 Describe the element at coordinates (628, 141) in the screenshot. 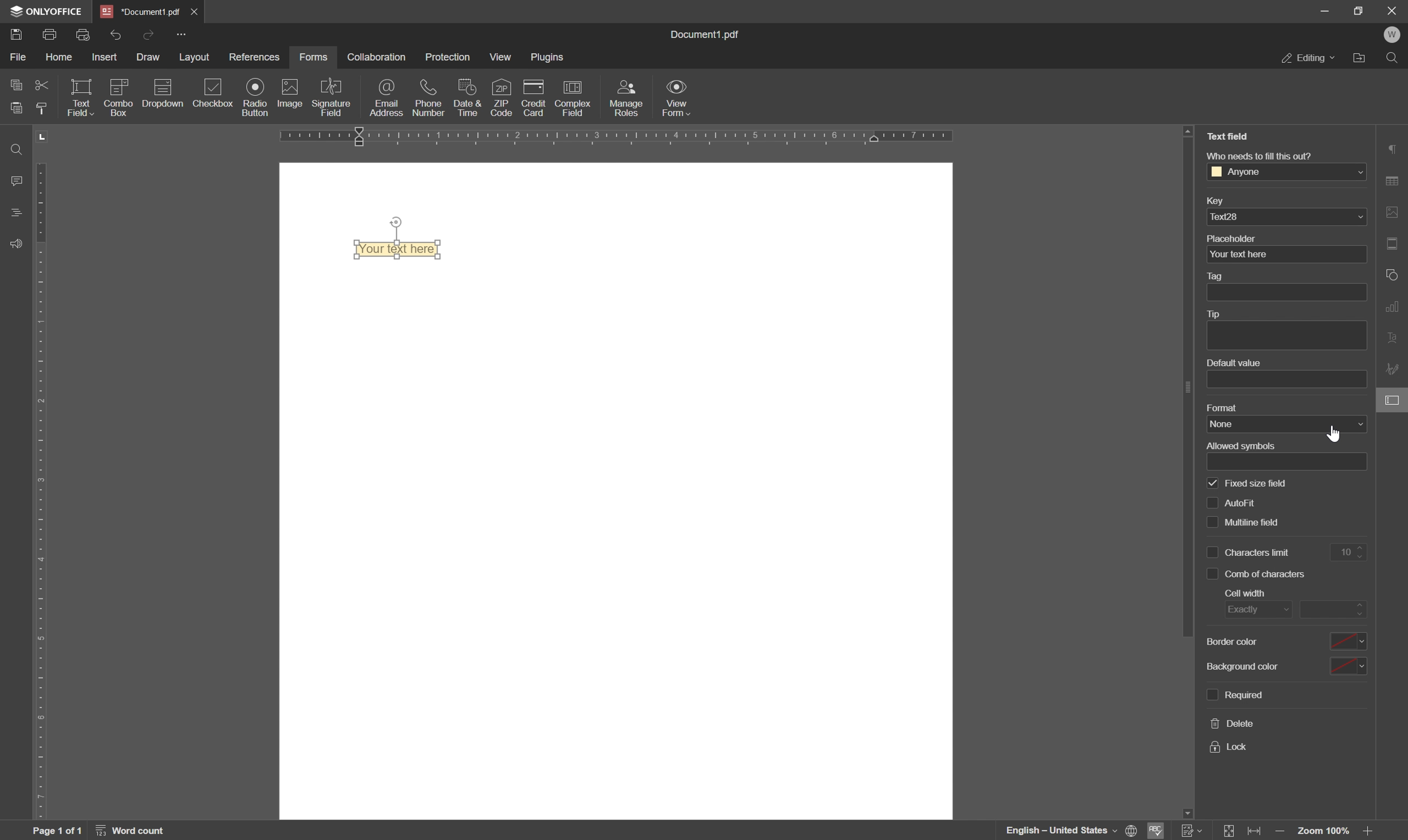

I see `ruler` at that location.